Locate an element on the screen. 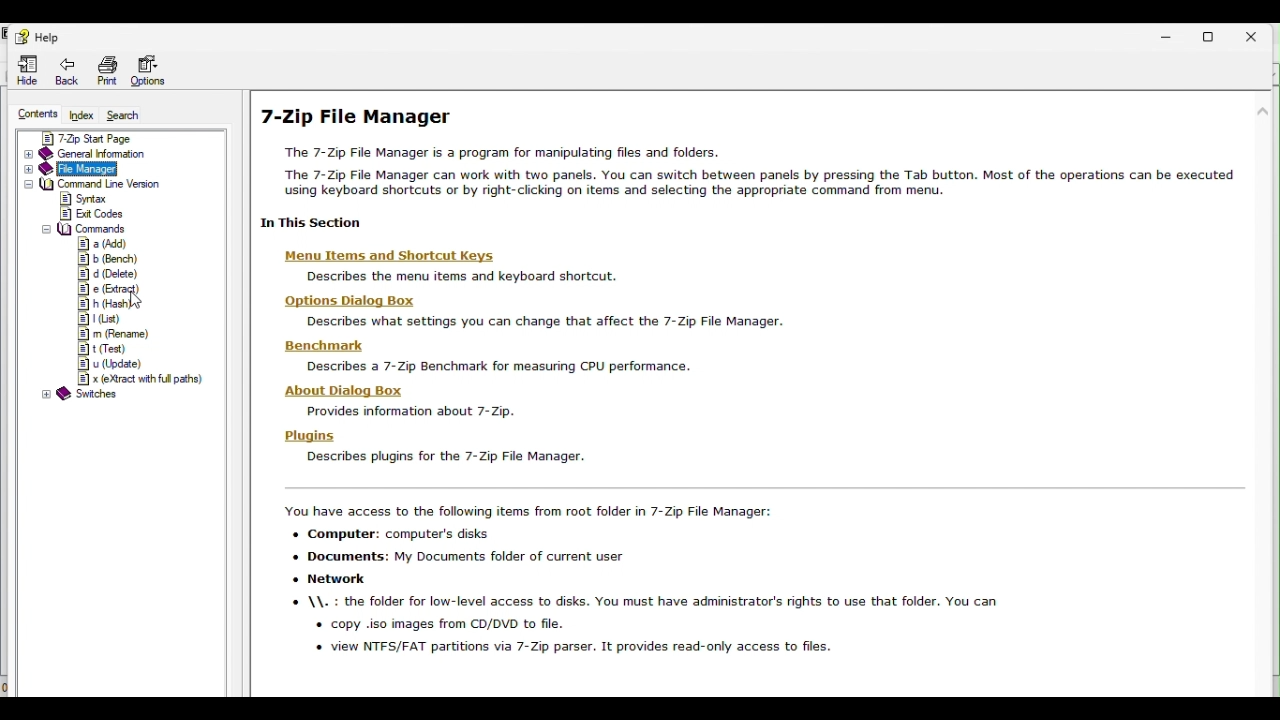 The height and width of the screenshot is (720, 1280). Option is located at coordinates (147, 72).